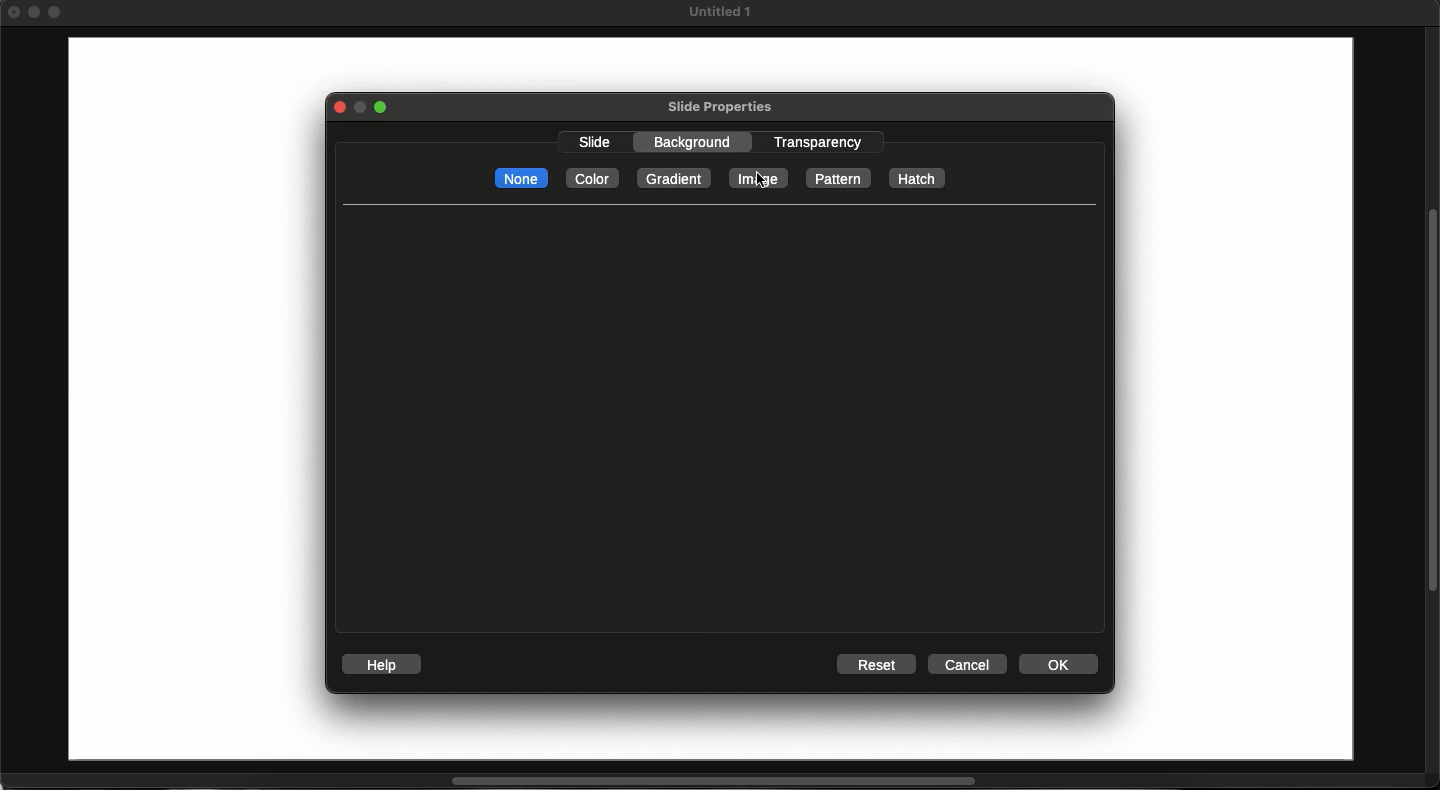 The height and width of the screenshot is (790, 1440). Describe the element at coordinates (762, 179) in the screenshot. I see `cursor` at that location.